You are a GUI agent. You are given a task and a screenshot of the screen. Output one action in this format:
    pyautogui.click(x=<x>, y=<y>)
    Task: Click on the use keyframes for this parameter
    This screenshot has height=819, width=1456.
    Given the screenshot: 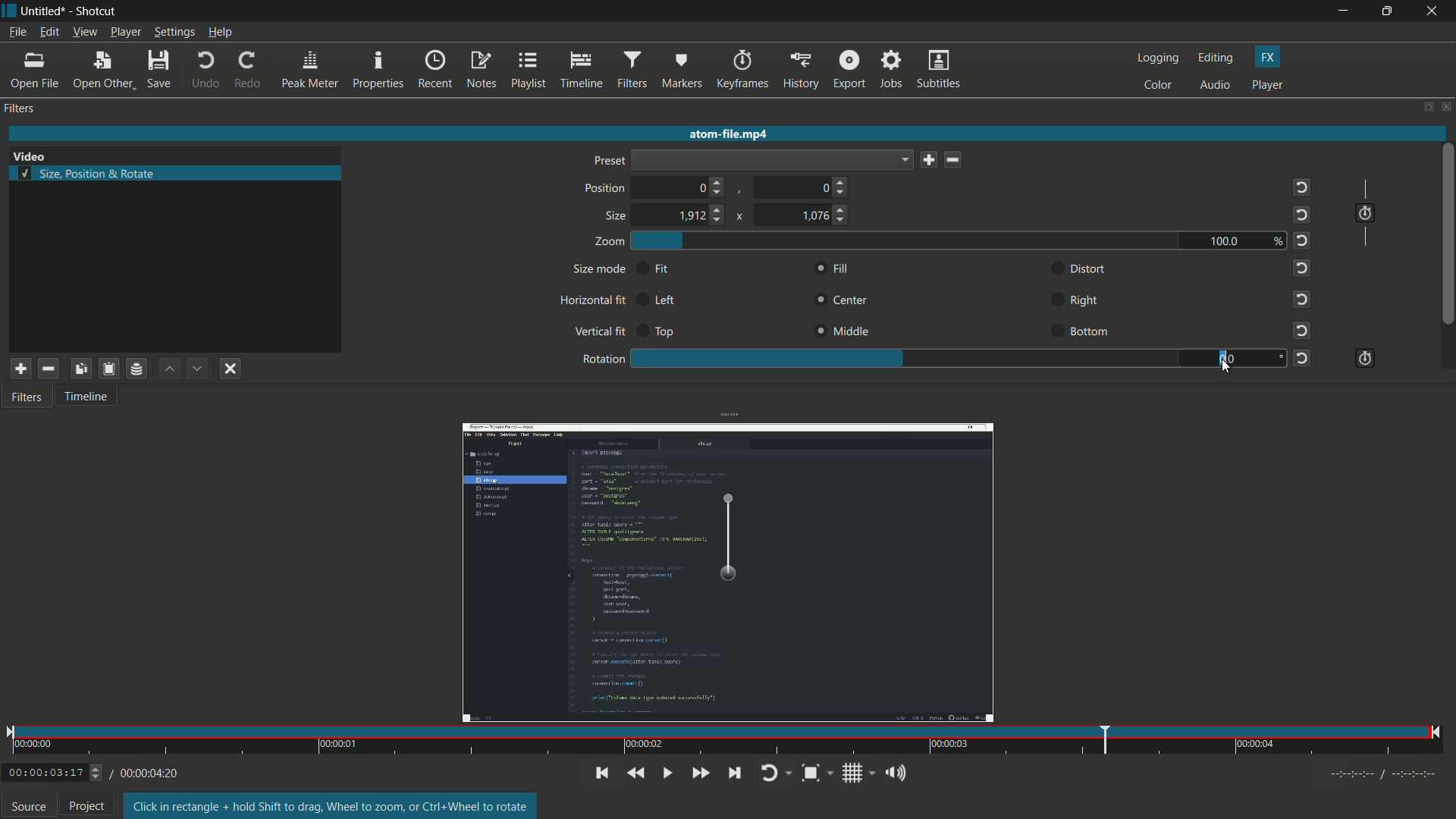 What is the action you would take?
    pyautogui.click(x=1363, y=359)
    